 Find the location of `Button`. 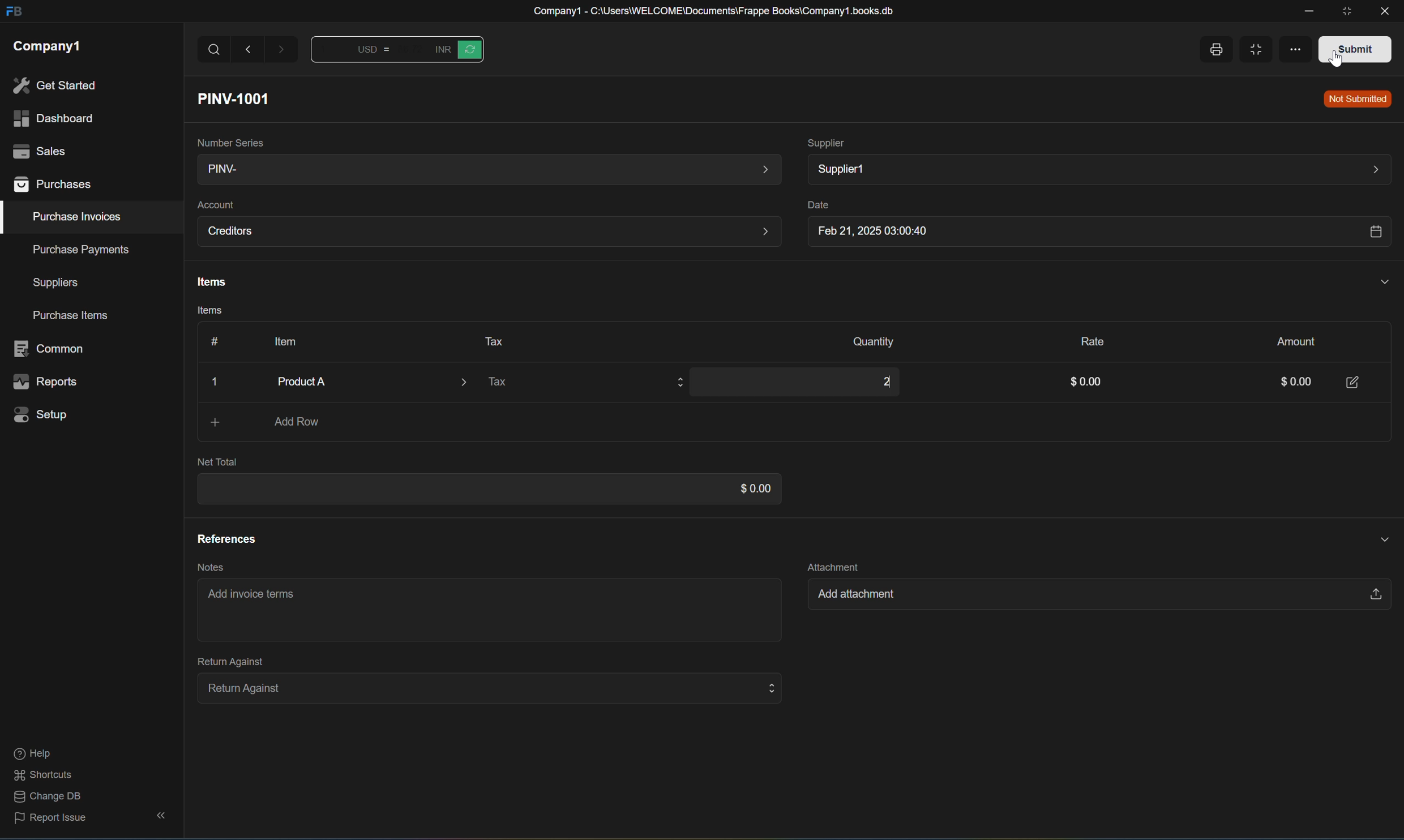

Button is located at coordinates (357, 52).